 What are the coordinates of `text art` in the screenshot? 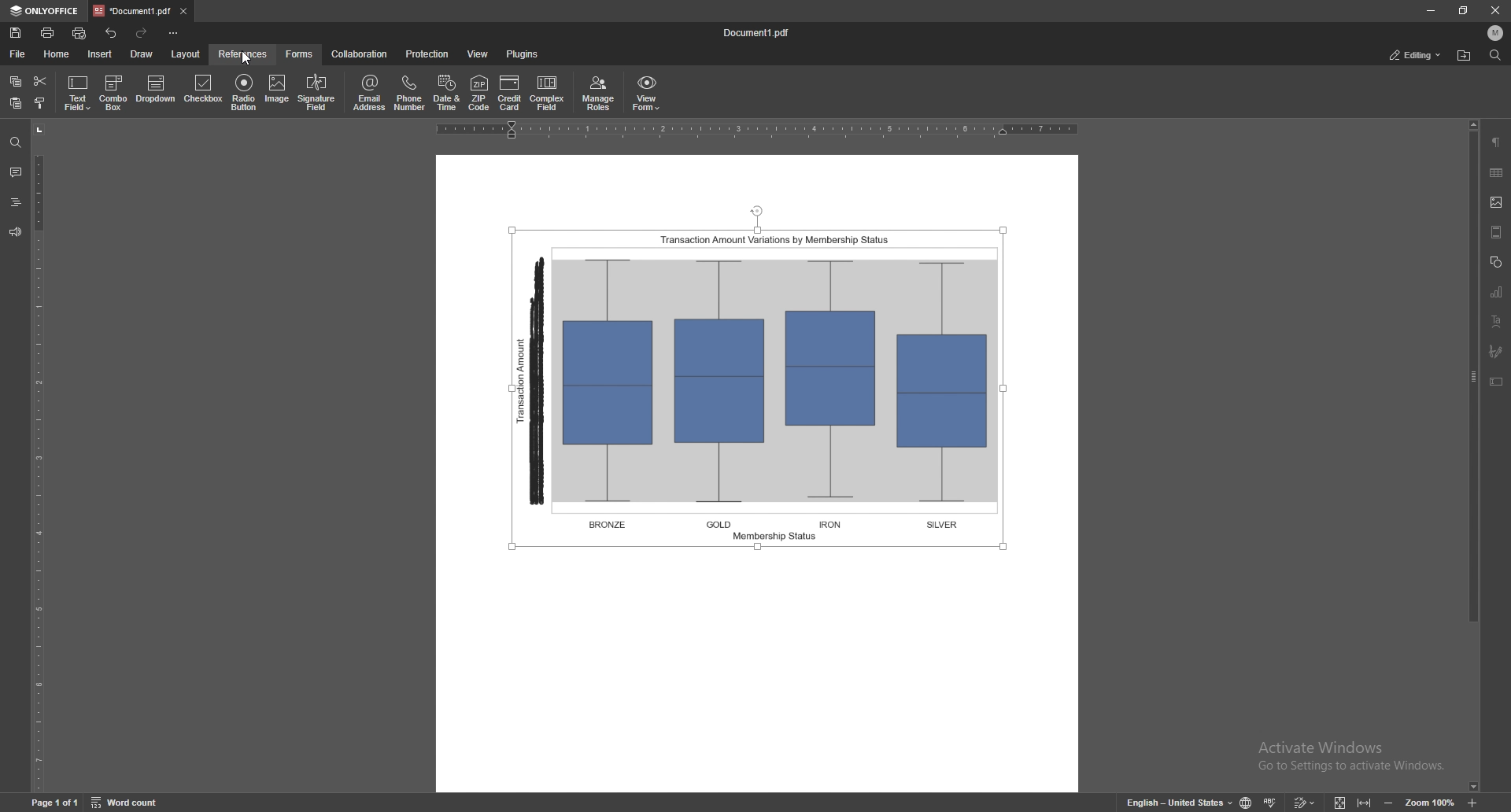 It's located at (1495, 321).